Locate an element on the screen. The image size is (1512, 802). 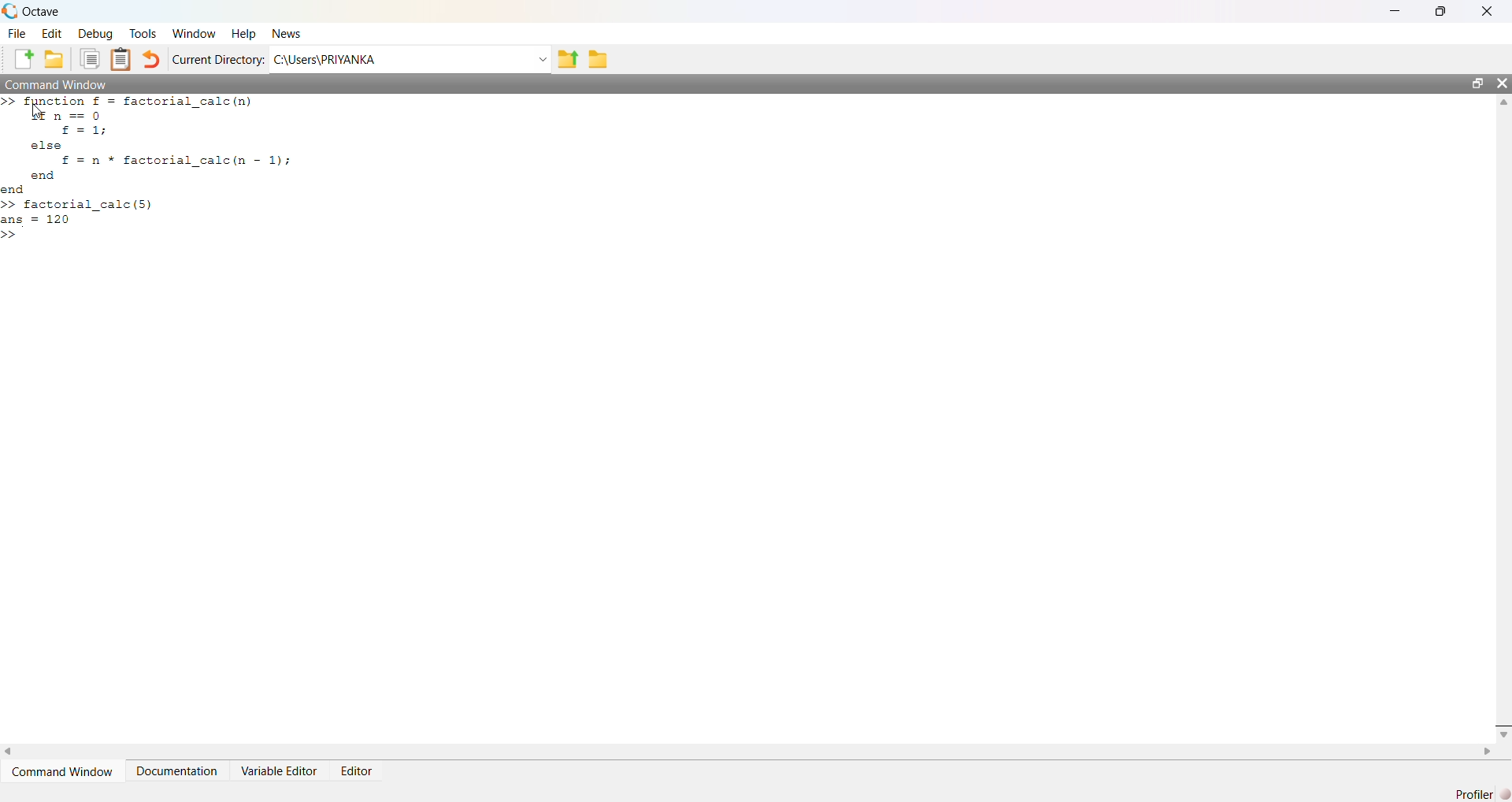
scroll up is located at coordinates (1502, 102).